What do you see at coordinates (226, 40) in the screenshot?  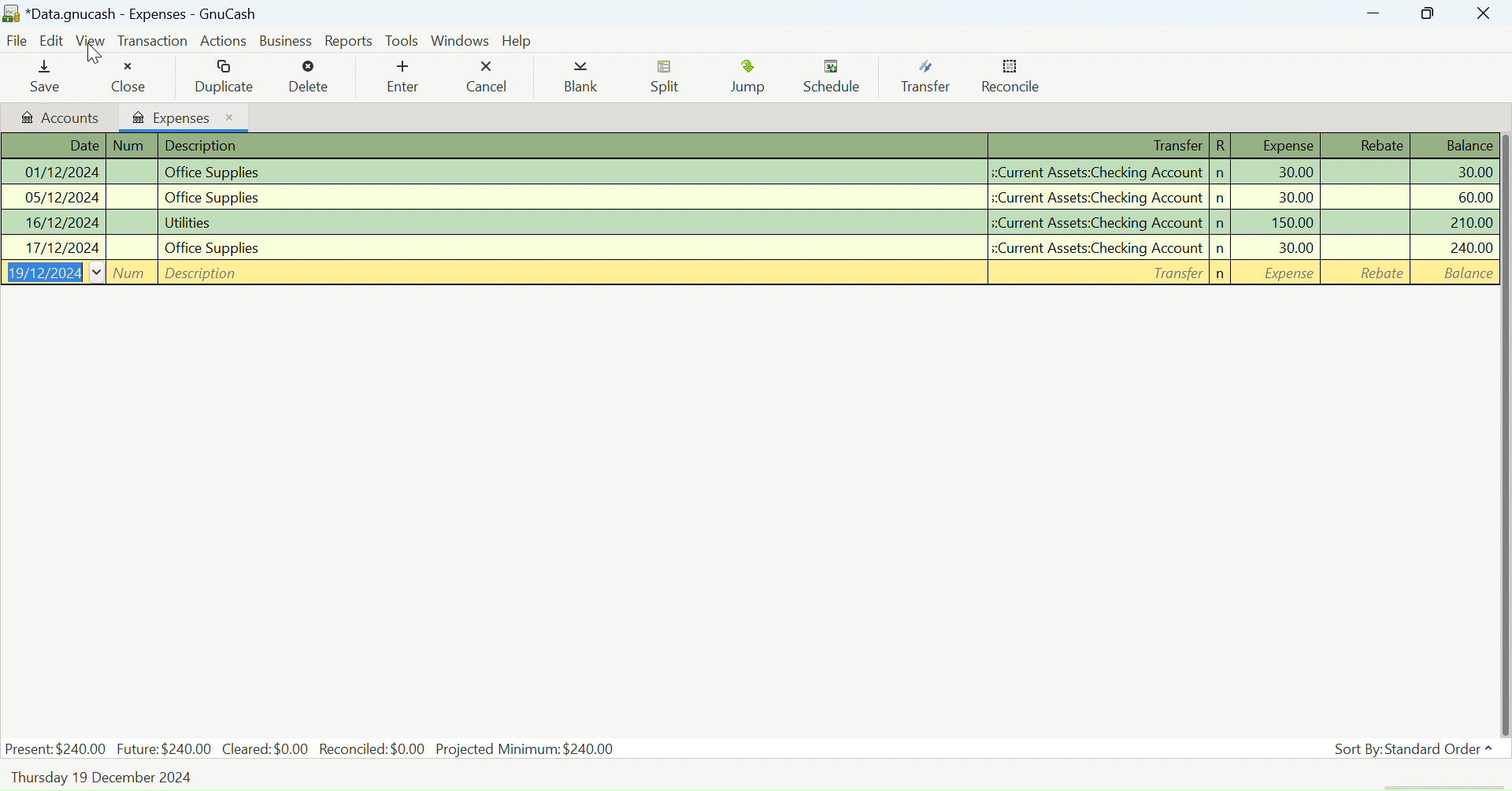 I see `Actions` at bounding box center [226, 40].